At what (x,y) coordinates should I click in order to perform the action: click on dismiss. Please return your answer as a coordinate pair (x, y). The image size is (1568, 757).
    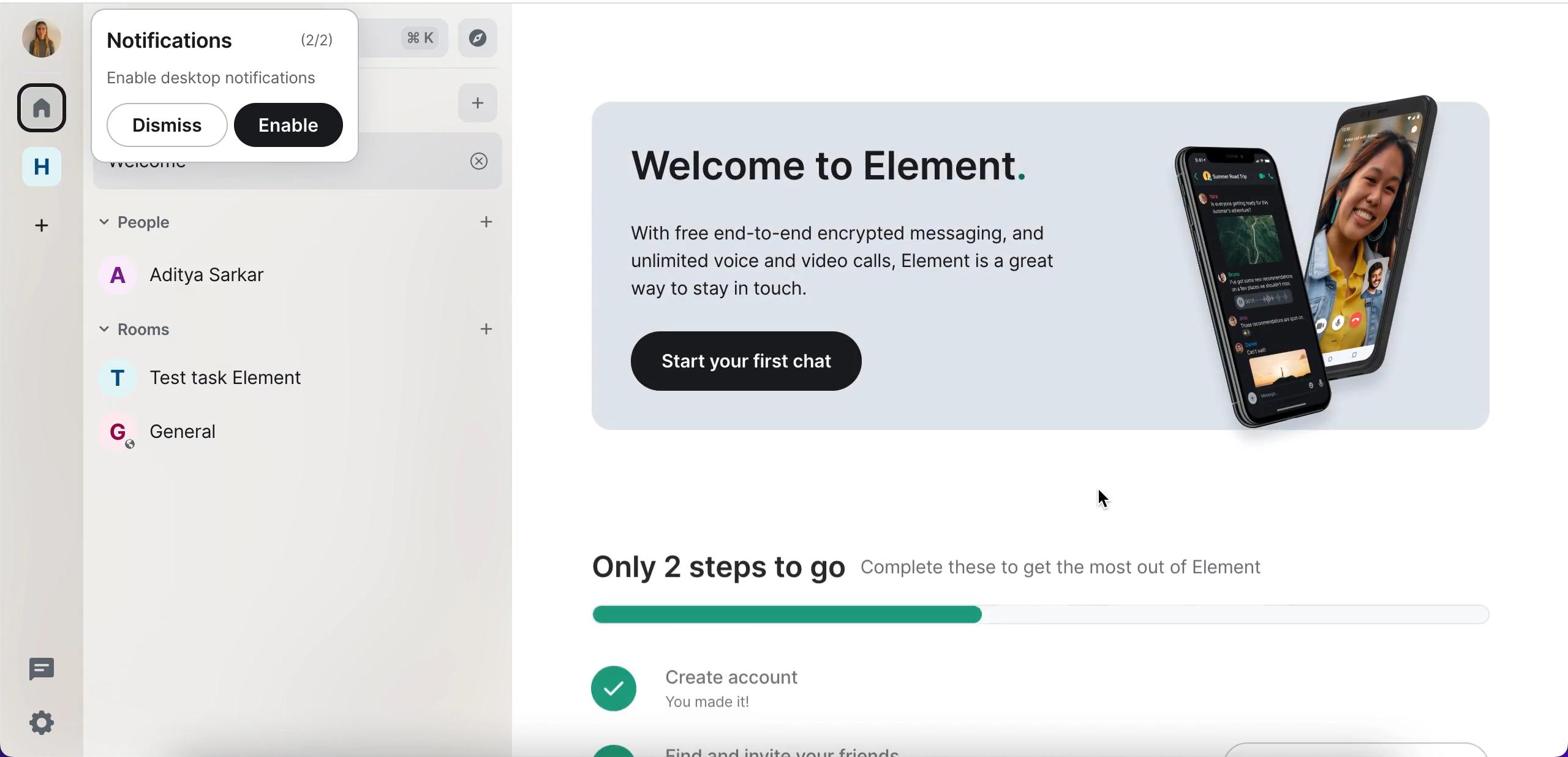
    Looking at the image, I should click on (163, 127).